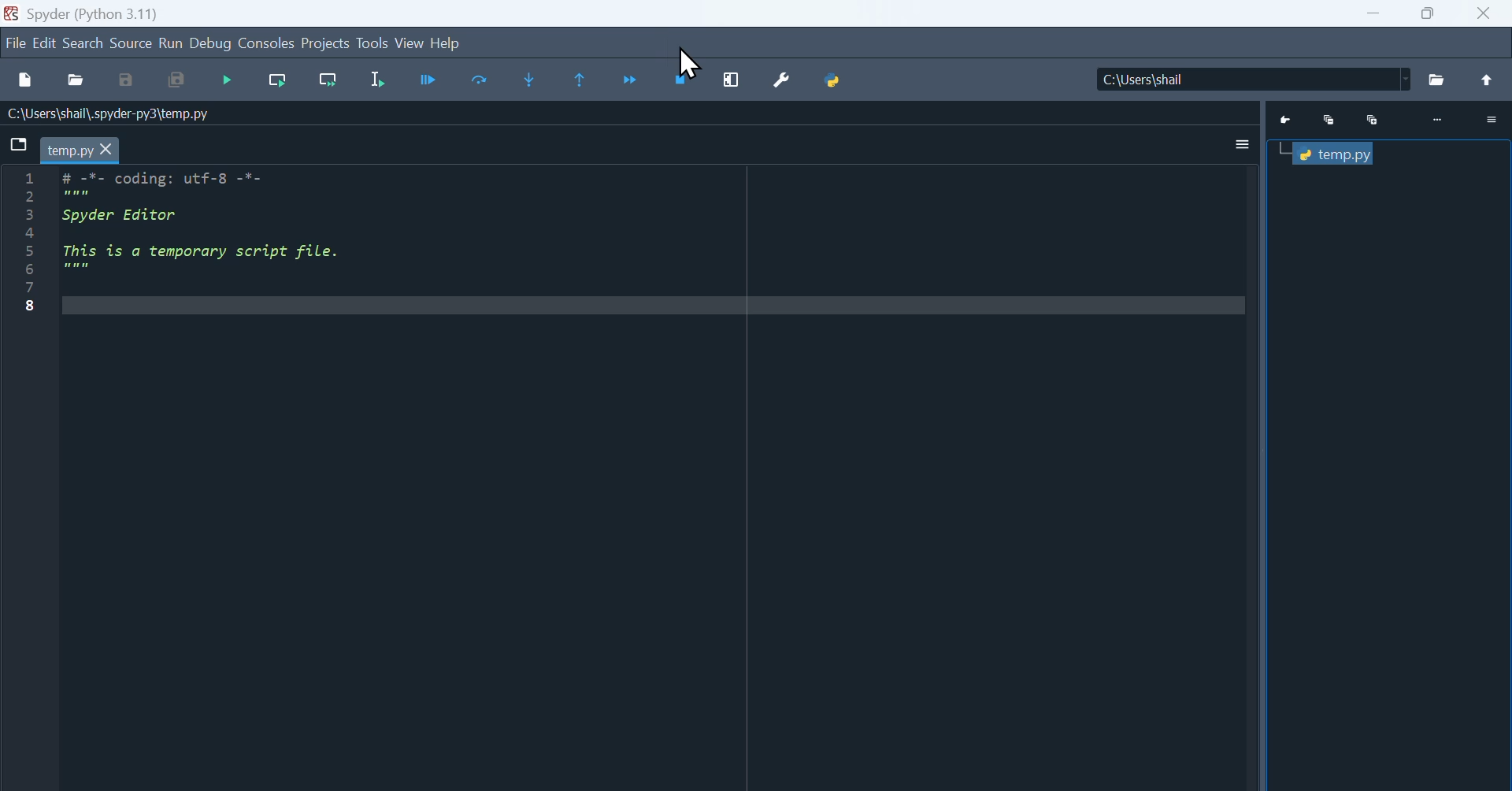  I want to click on Tools, so click(372, 43).